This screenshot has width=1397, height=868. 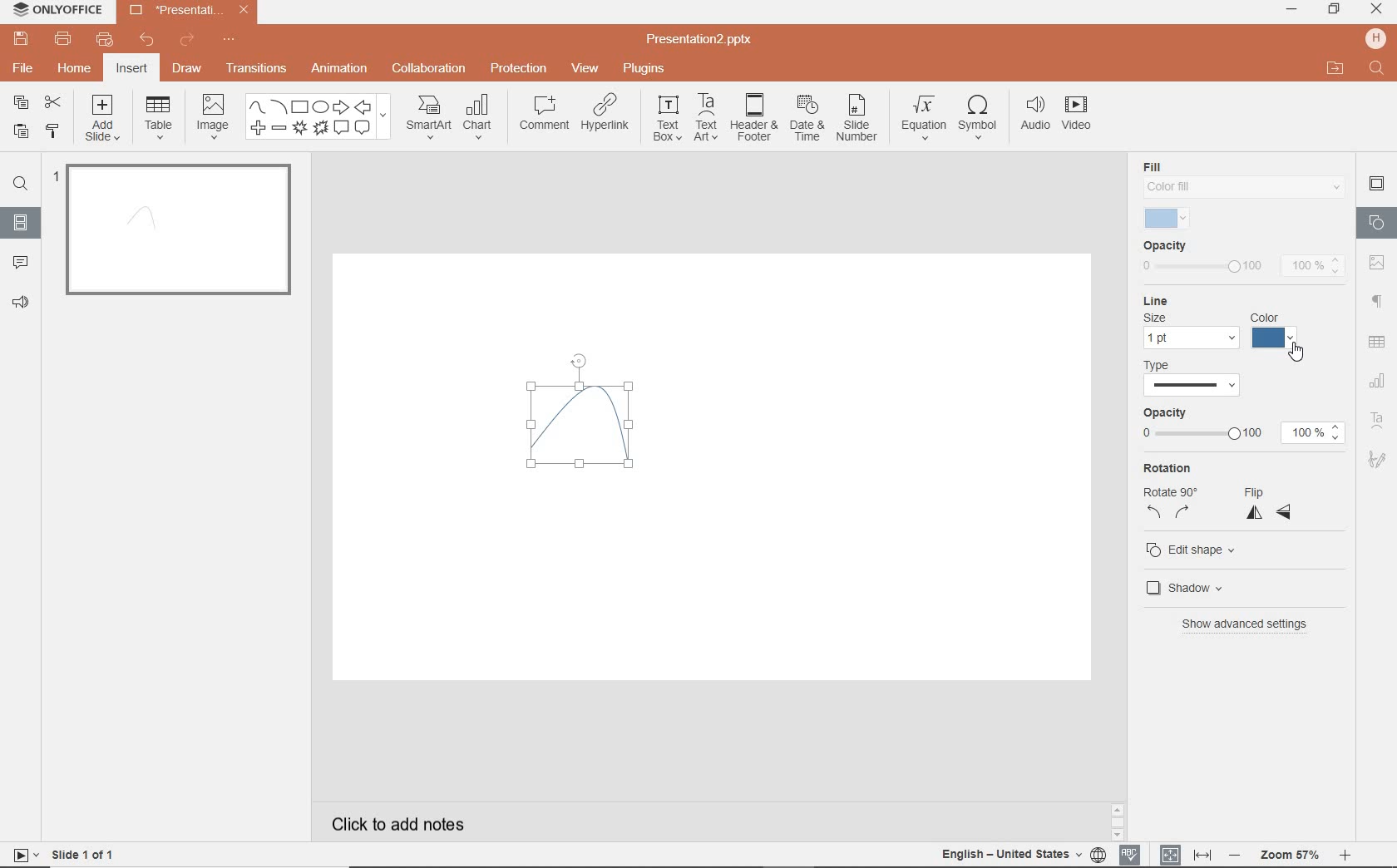 What do you see at coordinates (1375, 300) in the screenshot?
I see `PARAGRAPH SETTINGS` at bounding box center [1375, 300].